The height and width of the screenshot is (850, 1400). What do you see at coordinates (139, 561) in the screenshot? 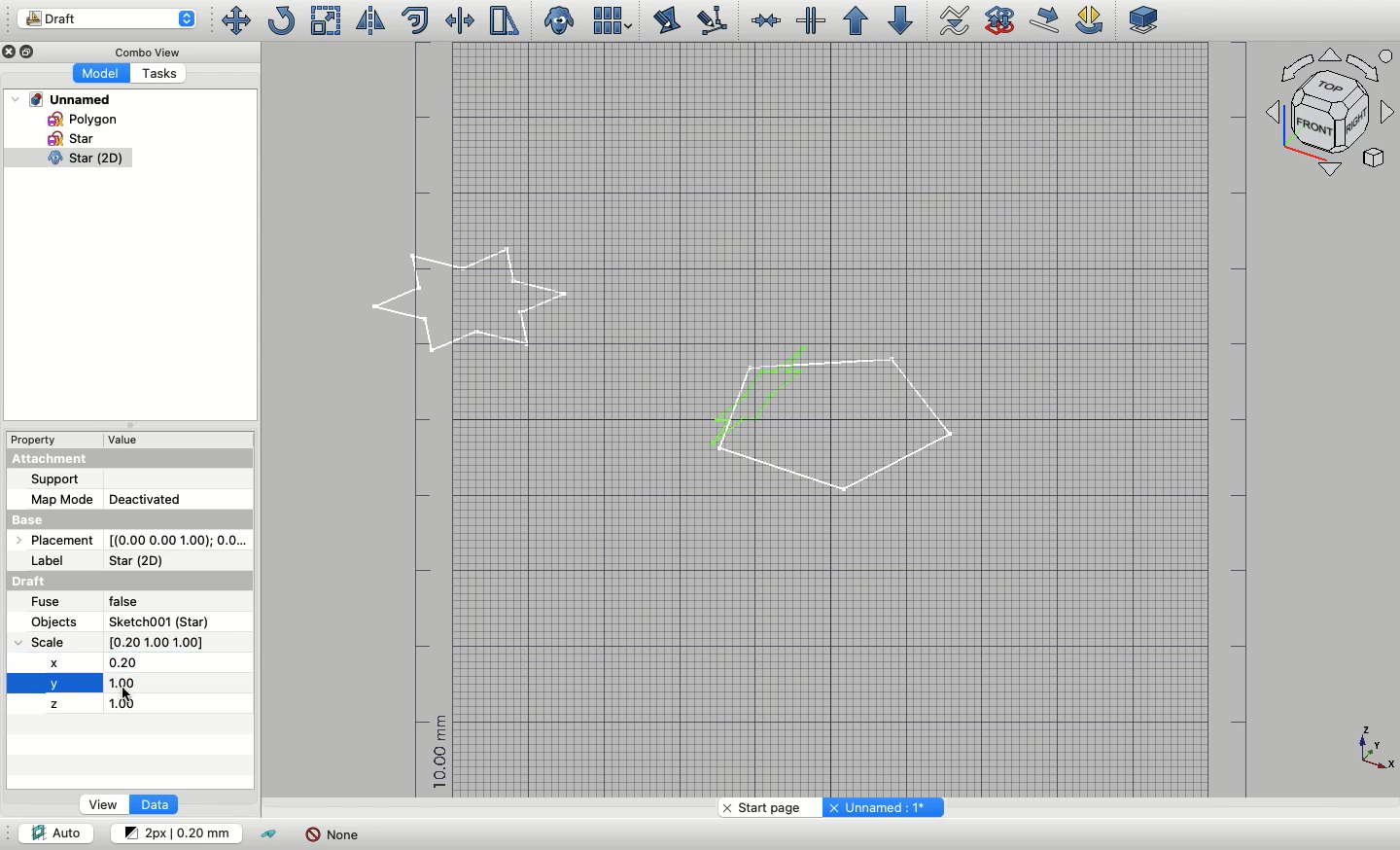
I see `Star (2D)` at bounding box center [139, 561].